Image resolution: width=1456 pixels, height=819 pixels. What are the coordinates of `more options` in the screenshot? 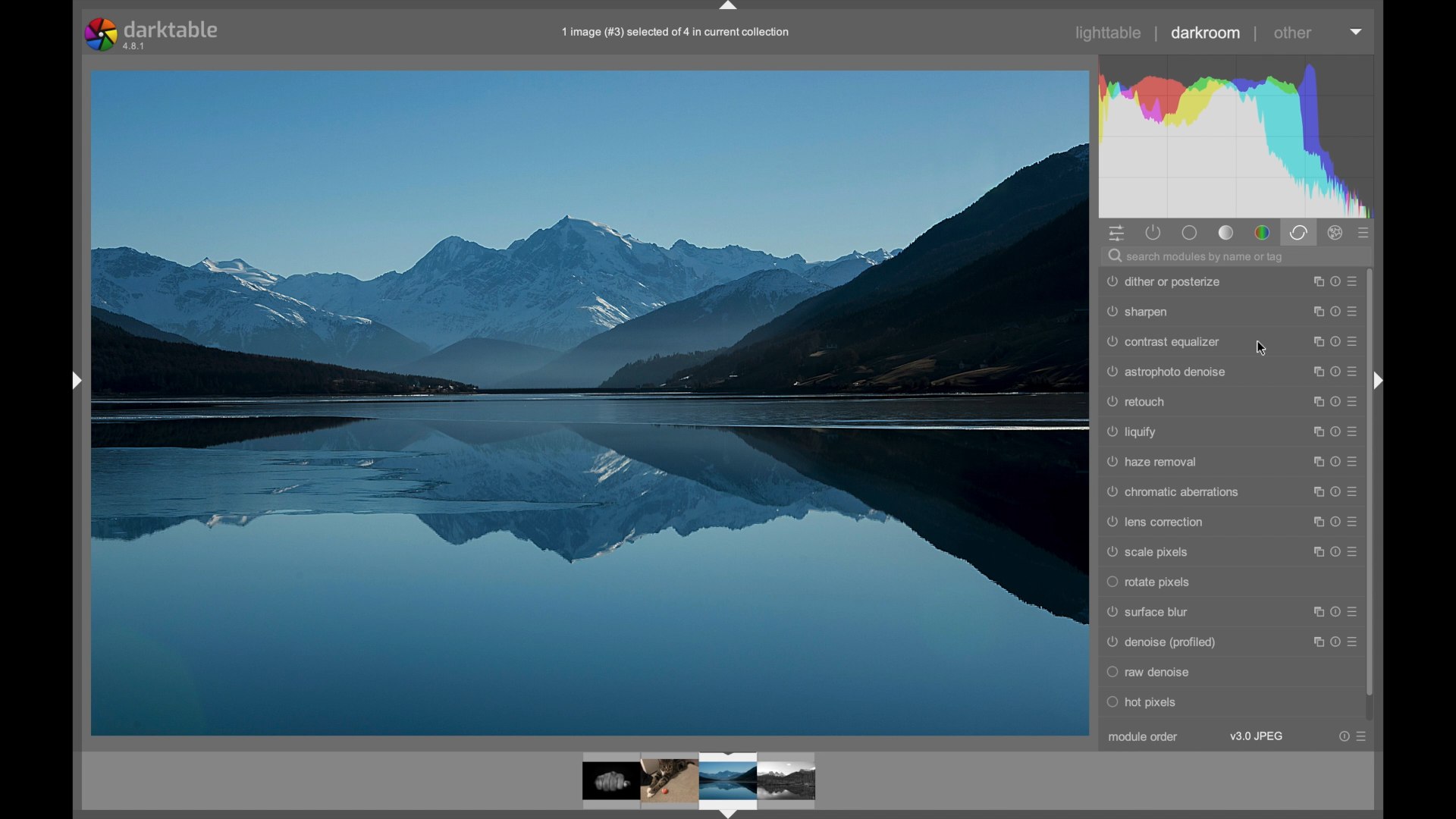 It's located at (1333, 642).